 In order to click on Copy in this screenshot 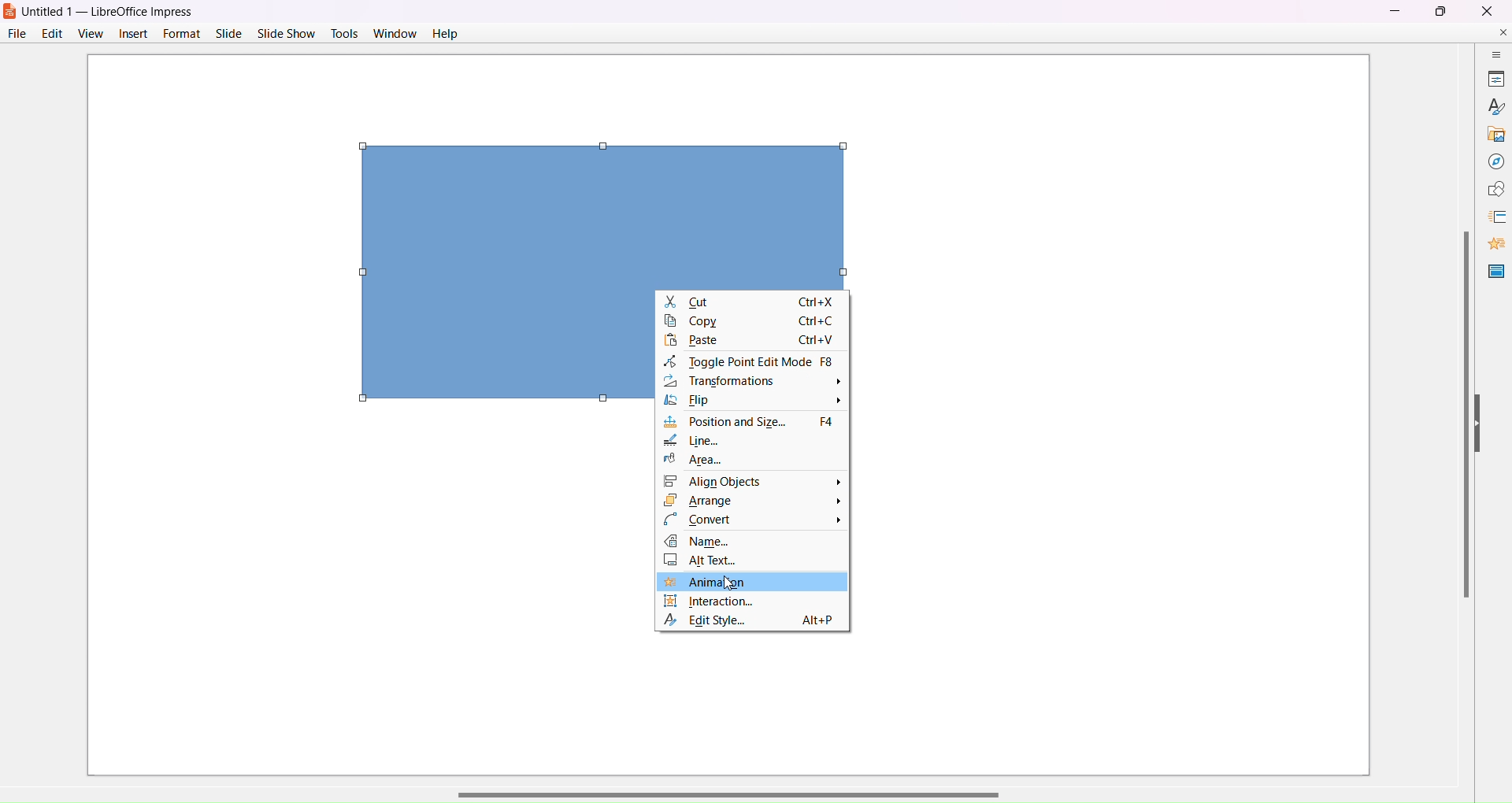, I will do `click(751, 324)`.